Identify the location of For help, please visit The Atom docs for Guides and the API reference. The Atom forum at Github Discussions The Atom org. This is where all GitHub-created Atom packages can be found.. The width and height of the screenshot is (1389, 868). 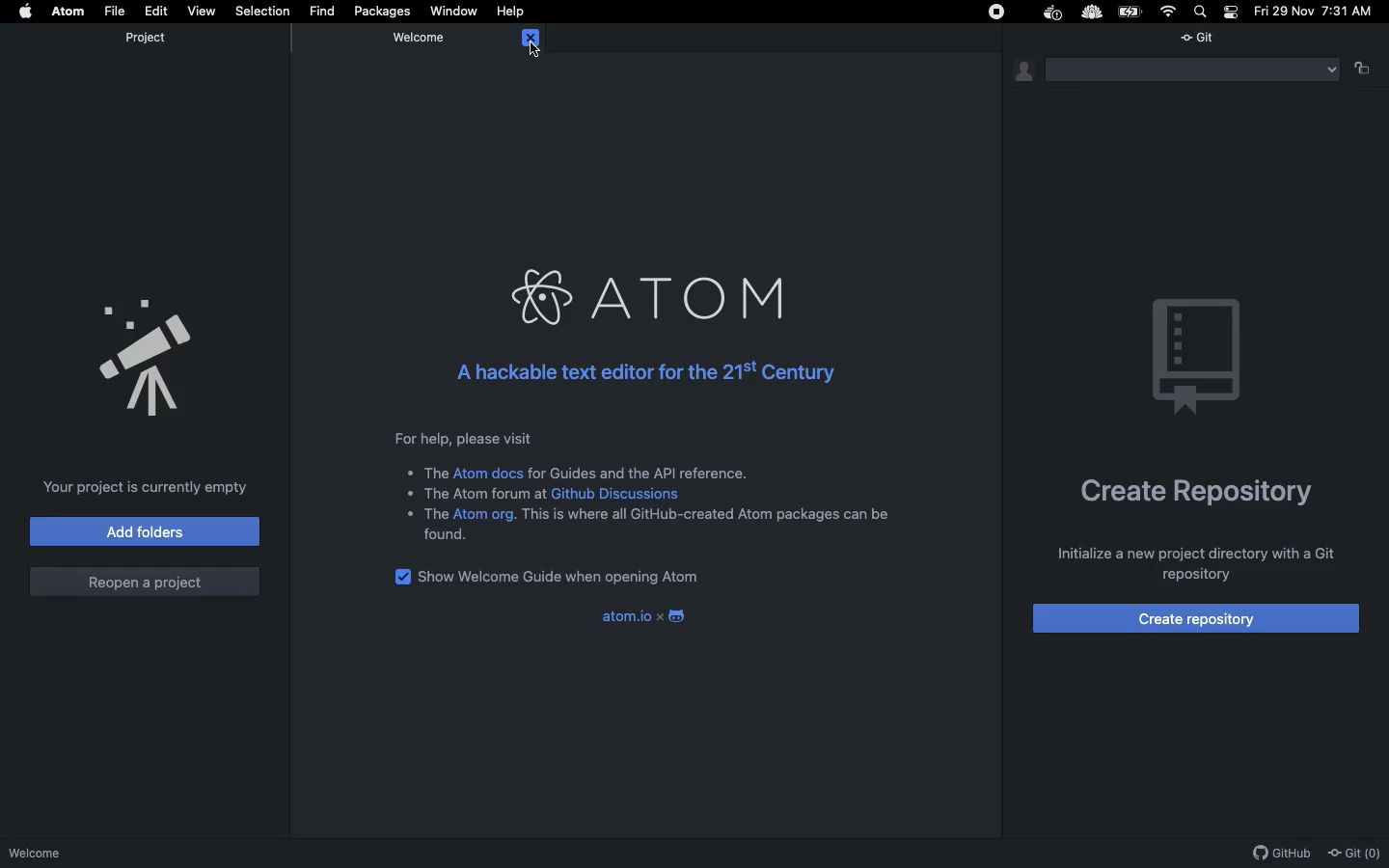
(655, 487).